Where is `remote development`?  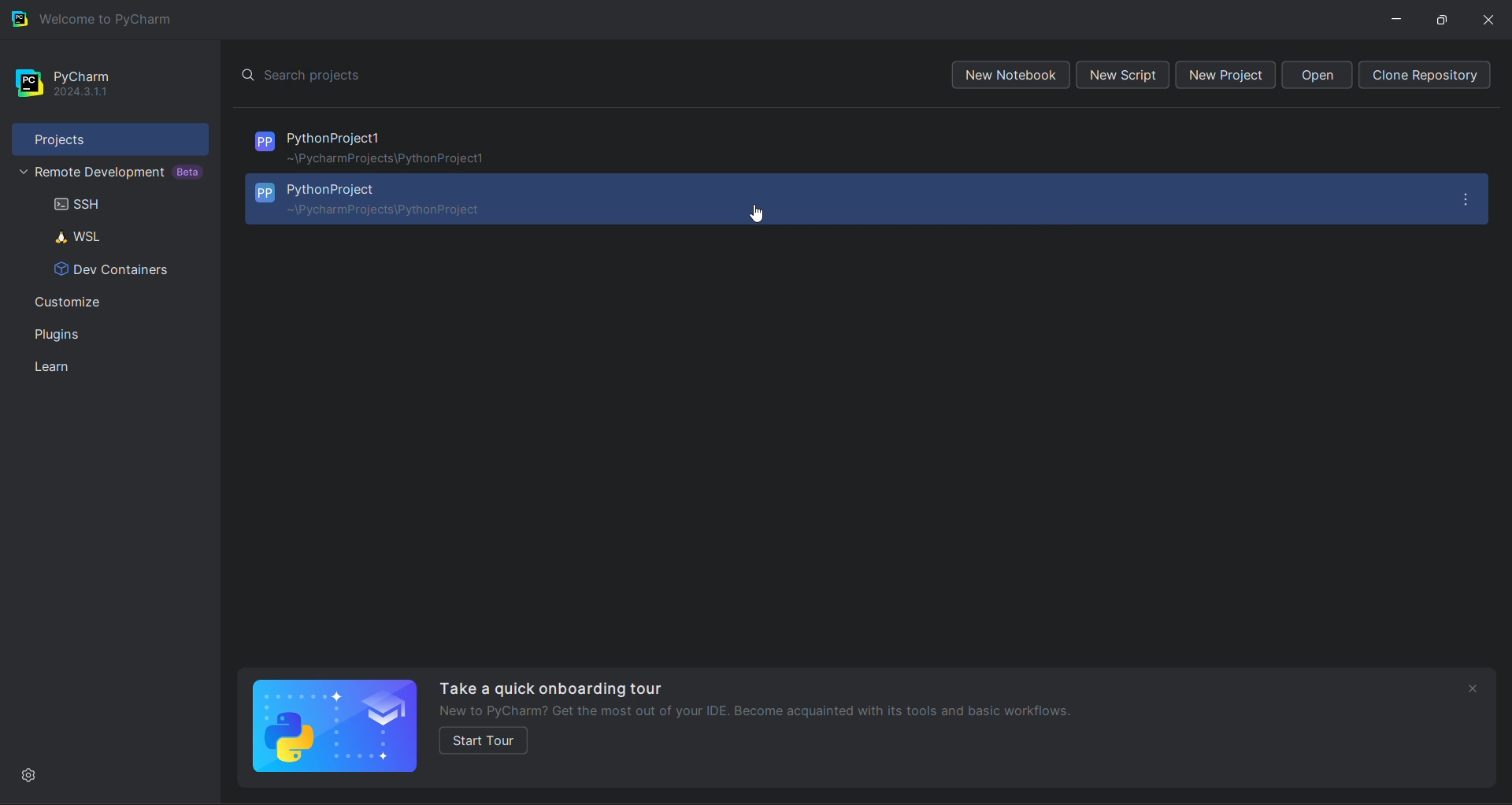 remote development is located at coordinates (109, 172).